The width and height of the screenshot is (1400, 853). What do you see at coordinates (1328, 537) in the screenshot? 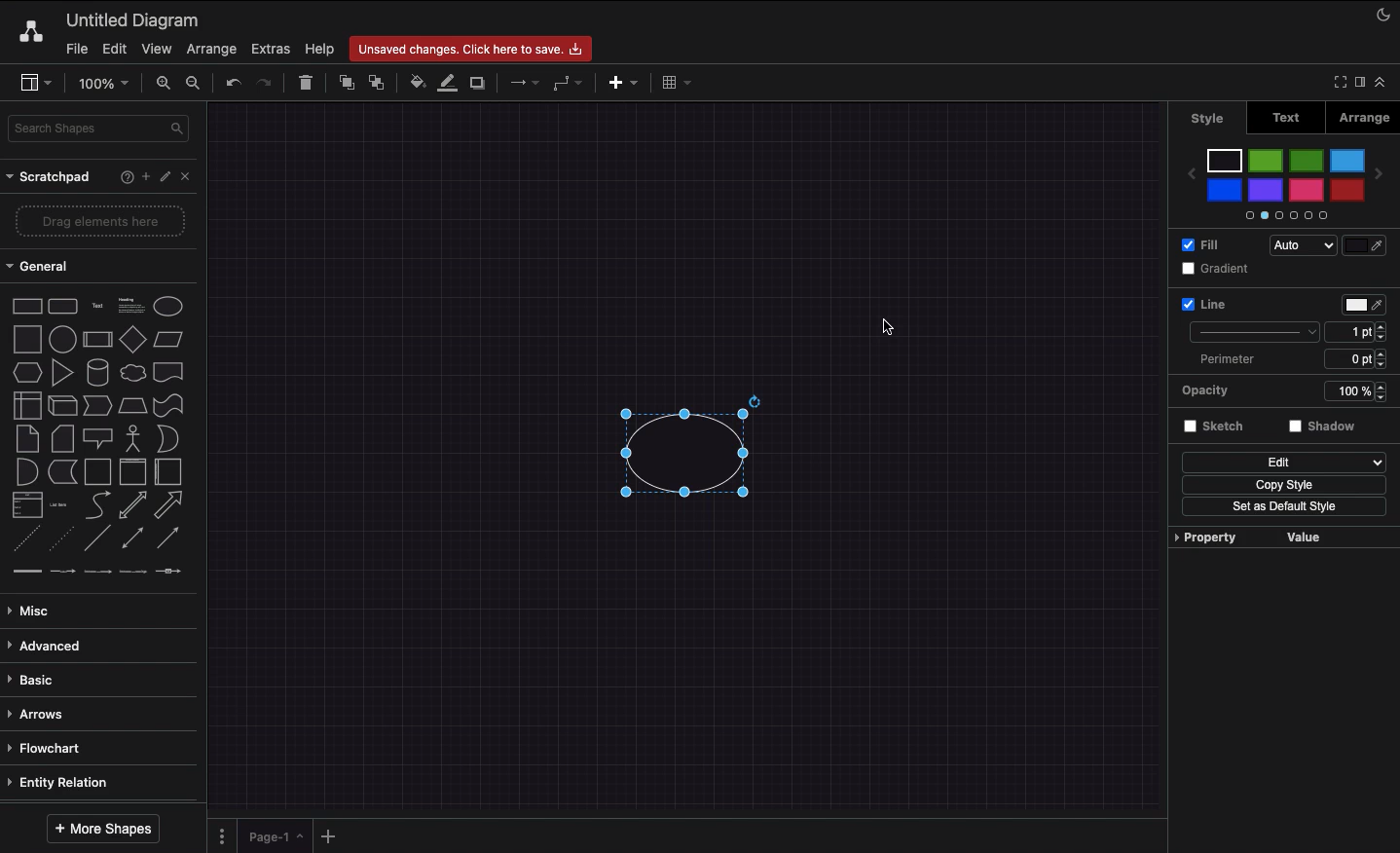
I see `value` at bounding box center [1328, 537].